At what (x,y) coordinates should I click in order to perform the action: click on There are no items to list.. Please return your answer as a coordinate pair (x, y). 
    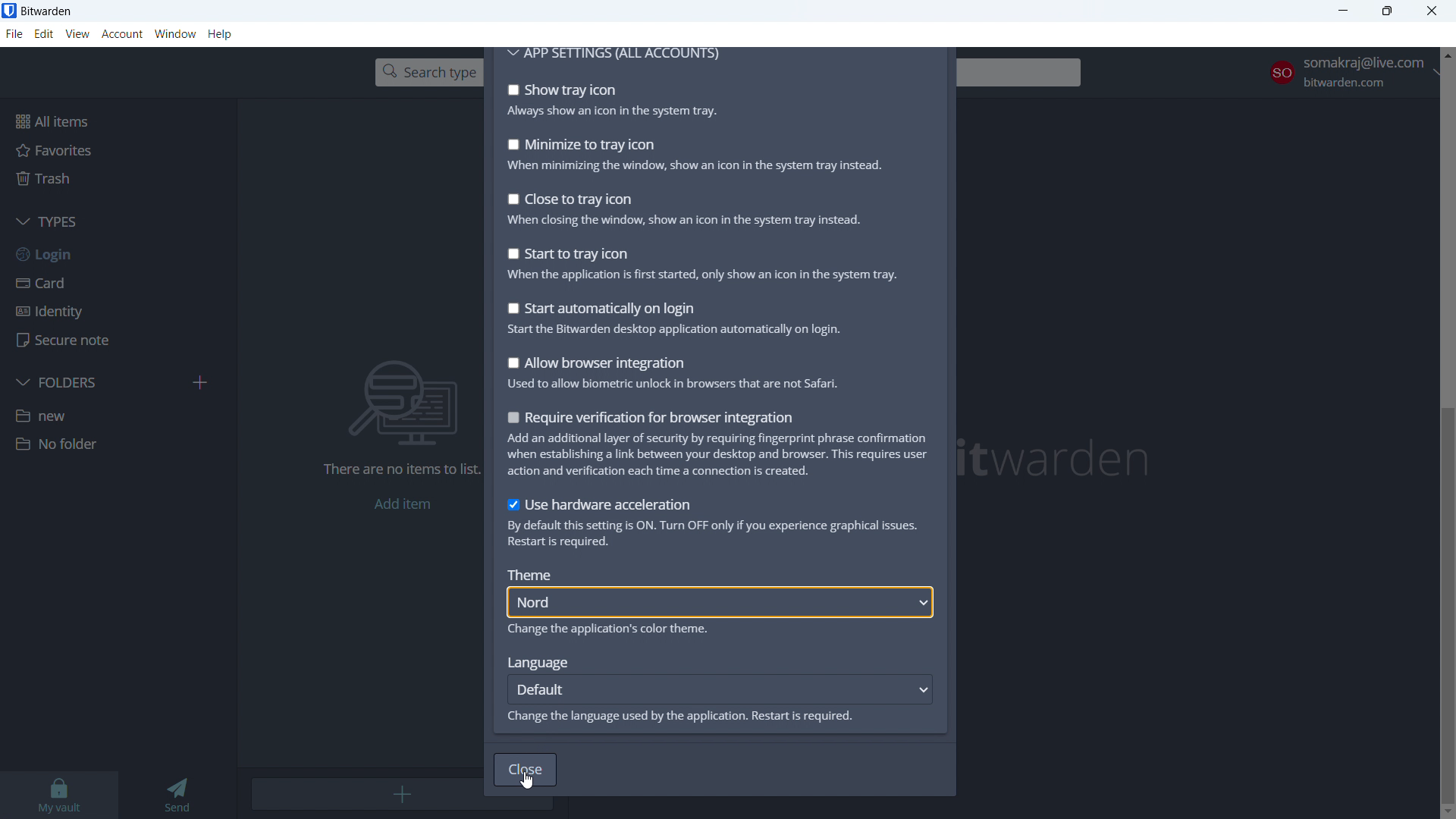
    Looking at the image, I should click on (399, 472).